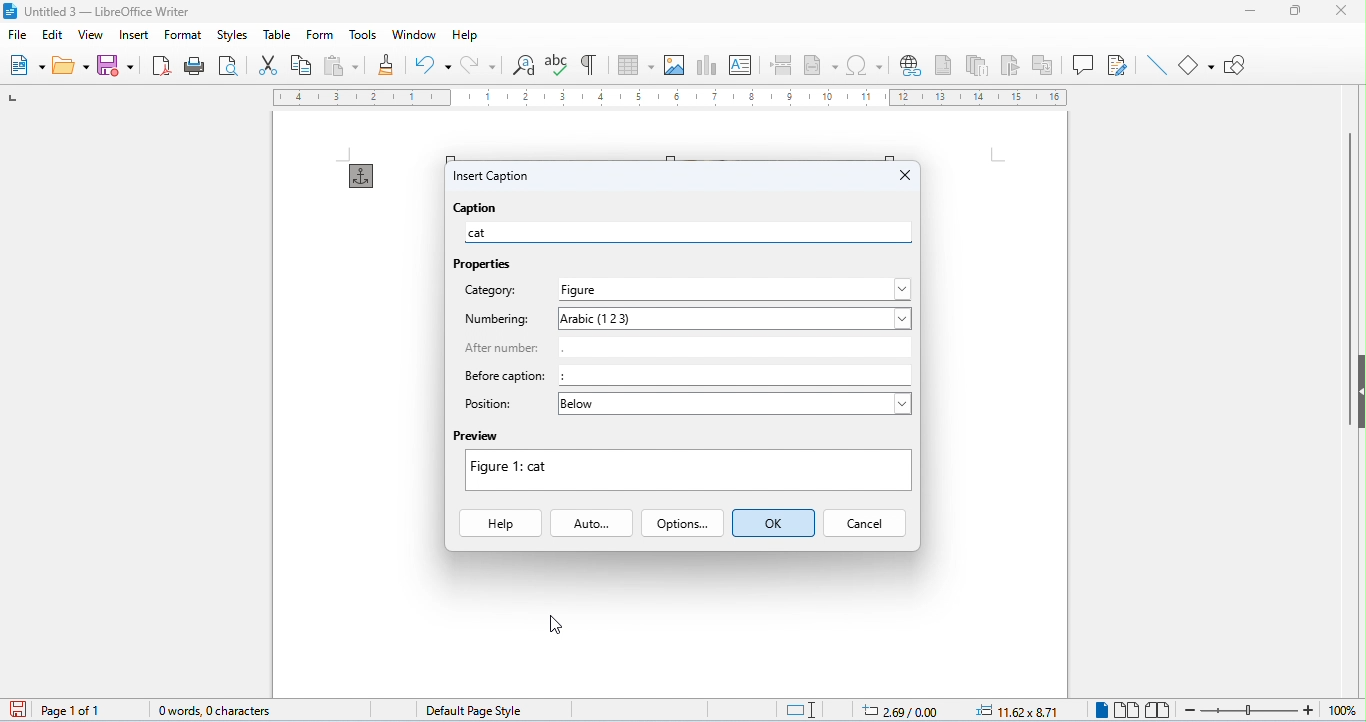 This screenshot has height=722, width=1366. What do you see at coordinates (558, 64) in the screenshot?
I see `spelling` at bounding box center [558, 64].